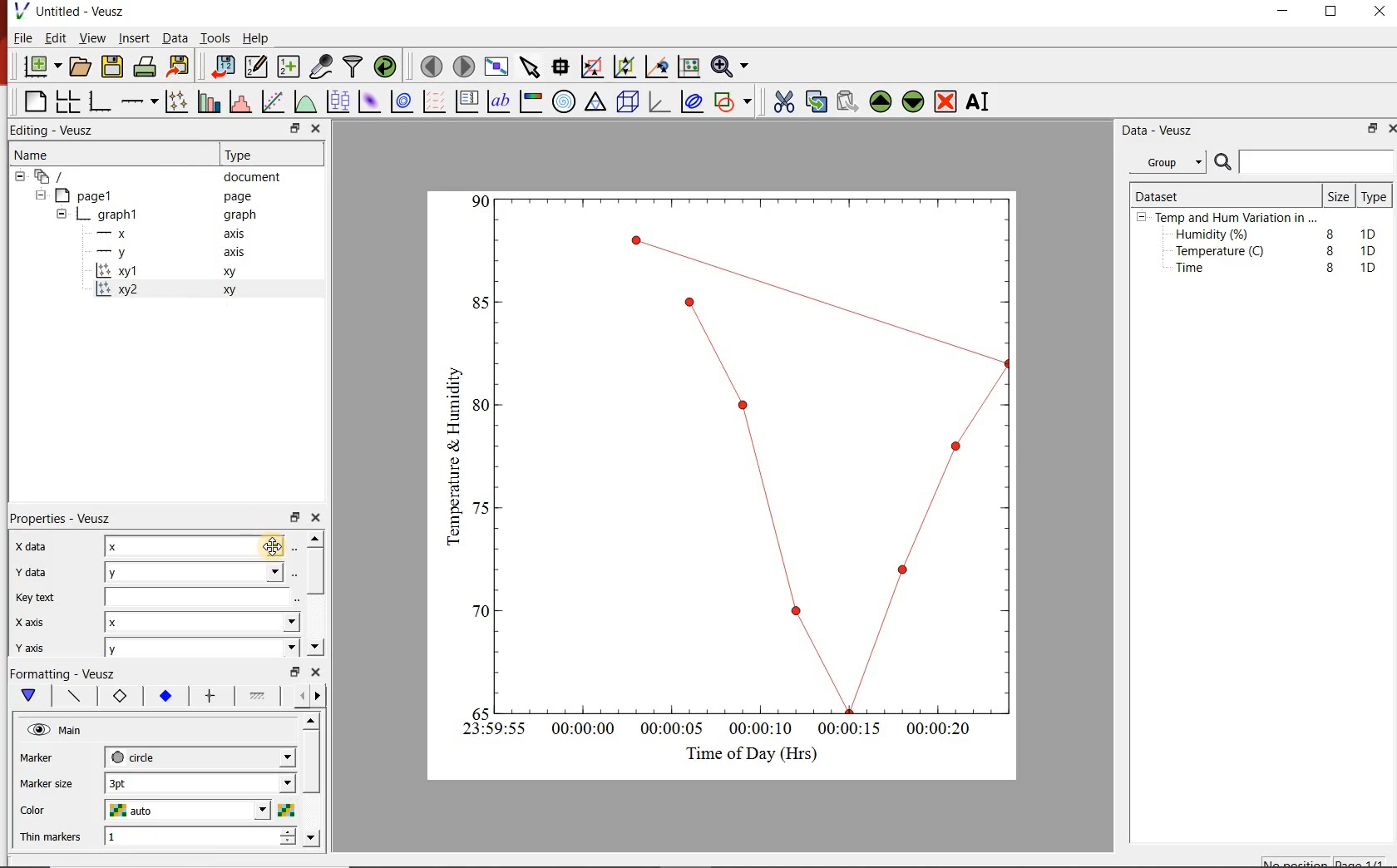 Image resolution: width=1397 pixels, height=868 pixels. I want to click on Cursor, so click(253, 544).